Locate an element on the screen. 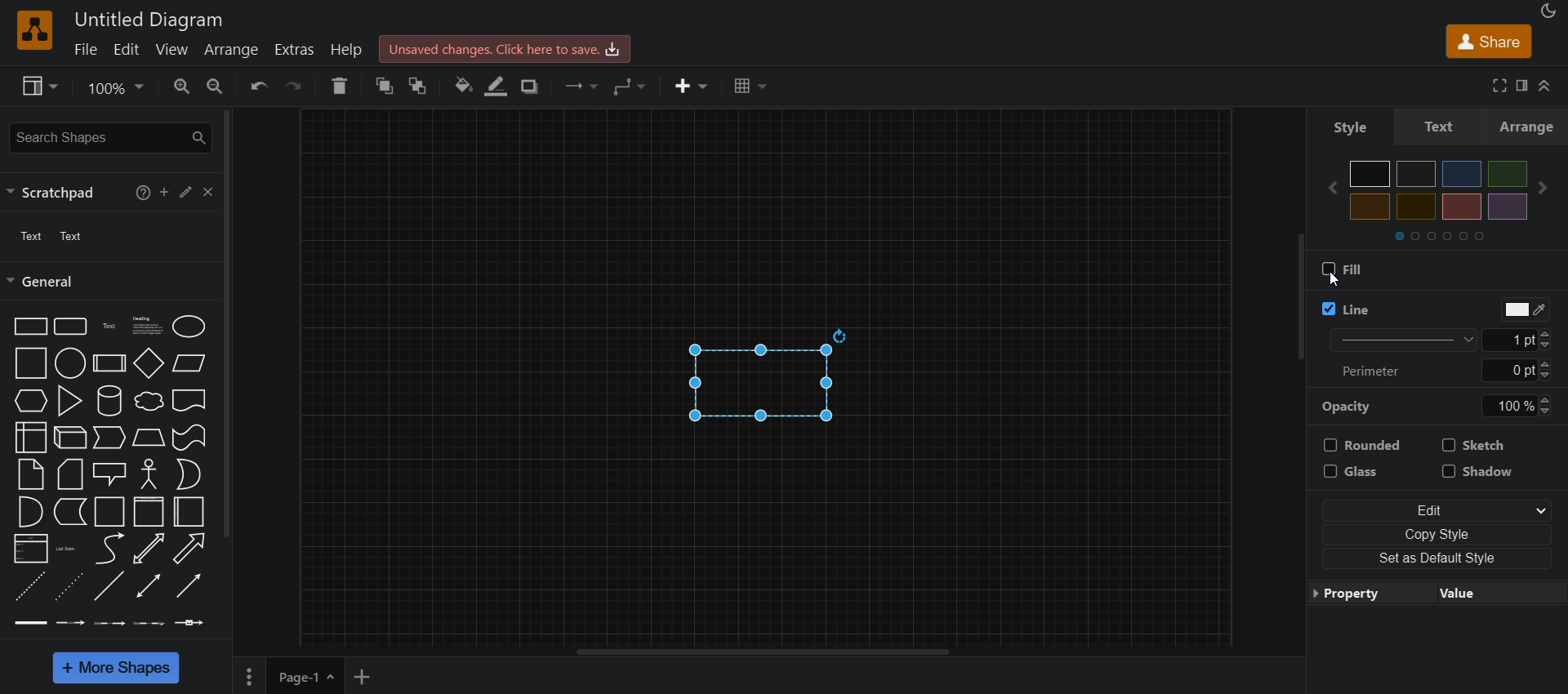 The height and width of the screenshot is (694, 1568). undo is located at coordinates (258, 87).